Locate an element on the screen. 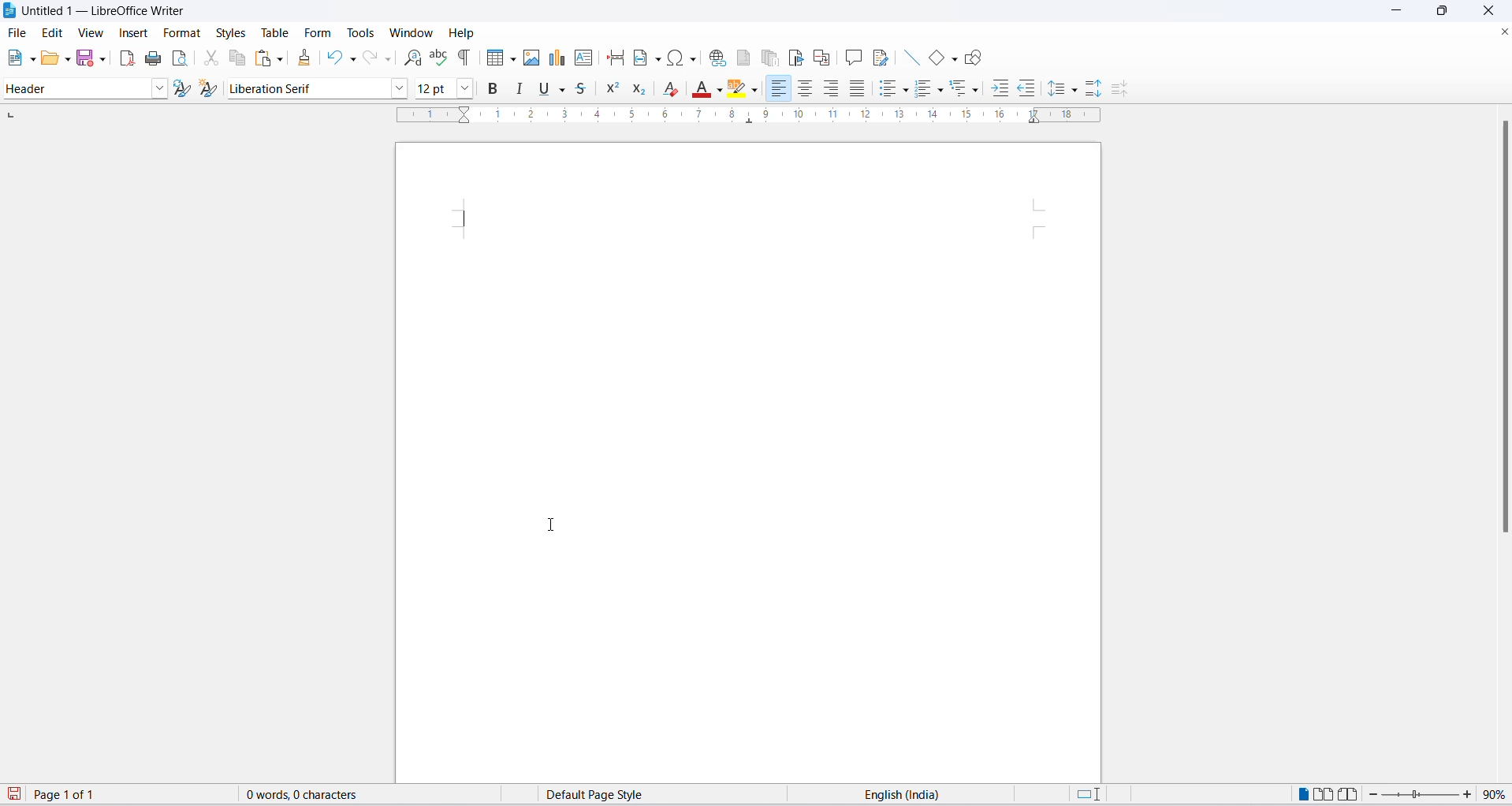  character highlighting is located at coordinates (738, 90).